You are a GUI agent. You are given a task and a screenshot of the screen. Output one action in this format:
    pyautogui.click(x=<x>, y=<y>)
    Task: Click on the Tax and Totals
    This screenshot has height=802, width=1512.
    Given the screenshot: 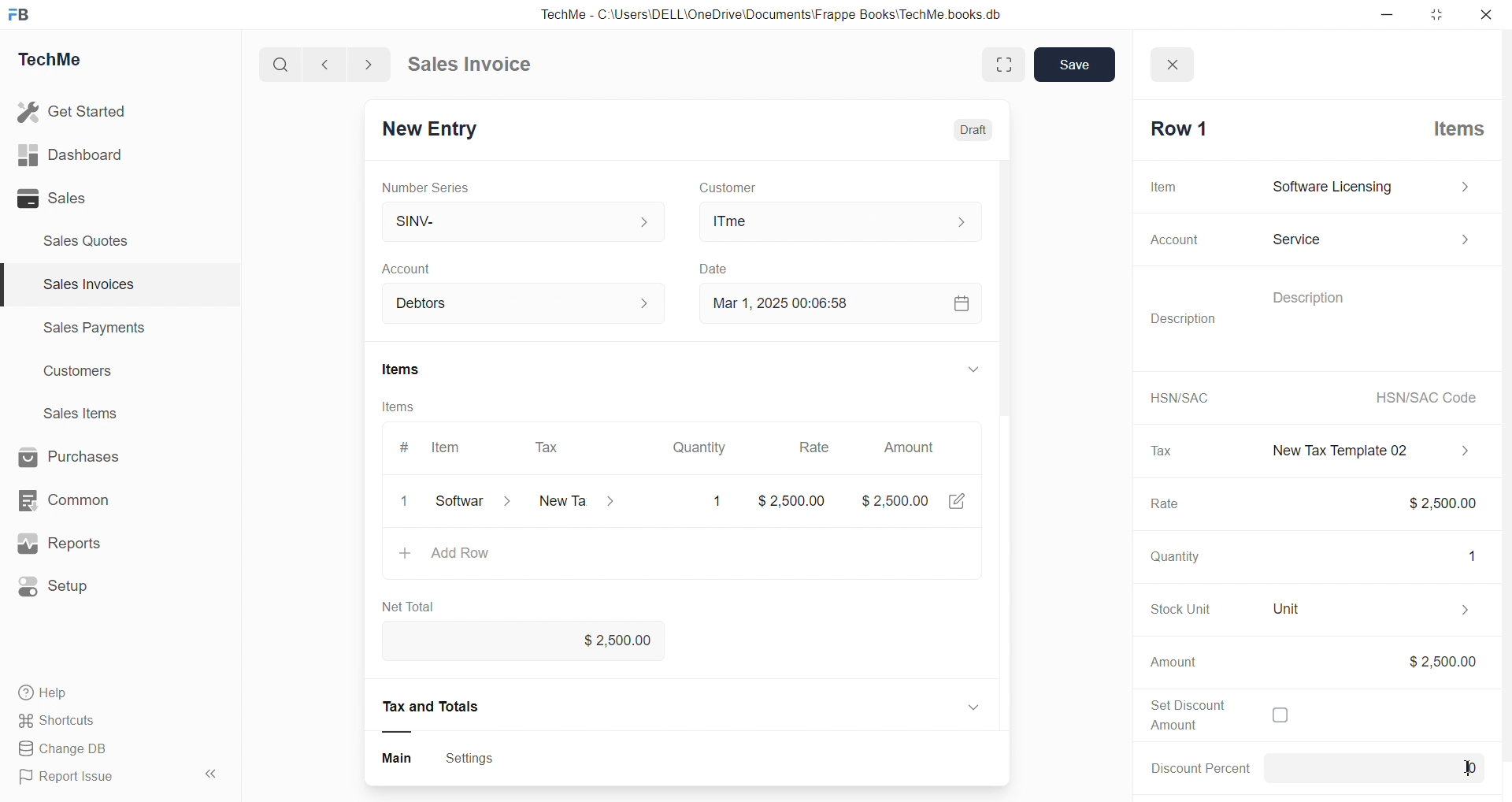 What is the action you would take?
    pyautogui.click(x=435, y=707)
    